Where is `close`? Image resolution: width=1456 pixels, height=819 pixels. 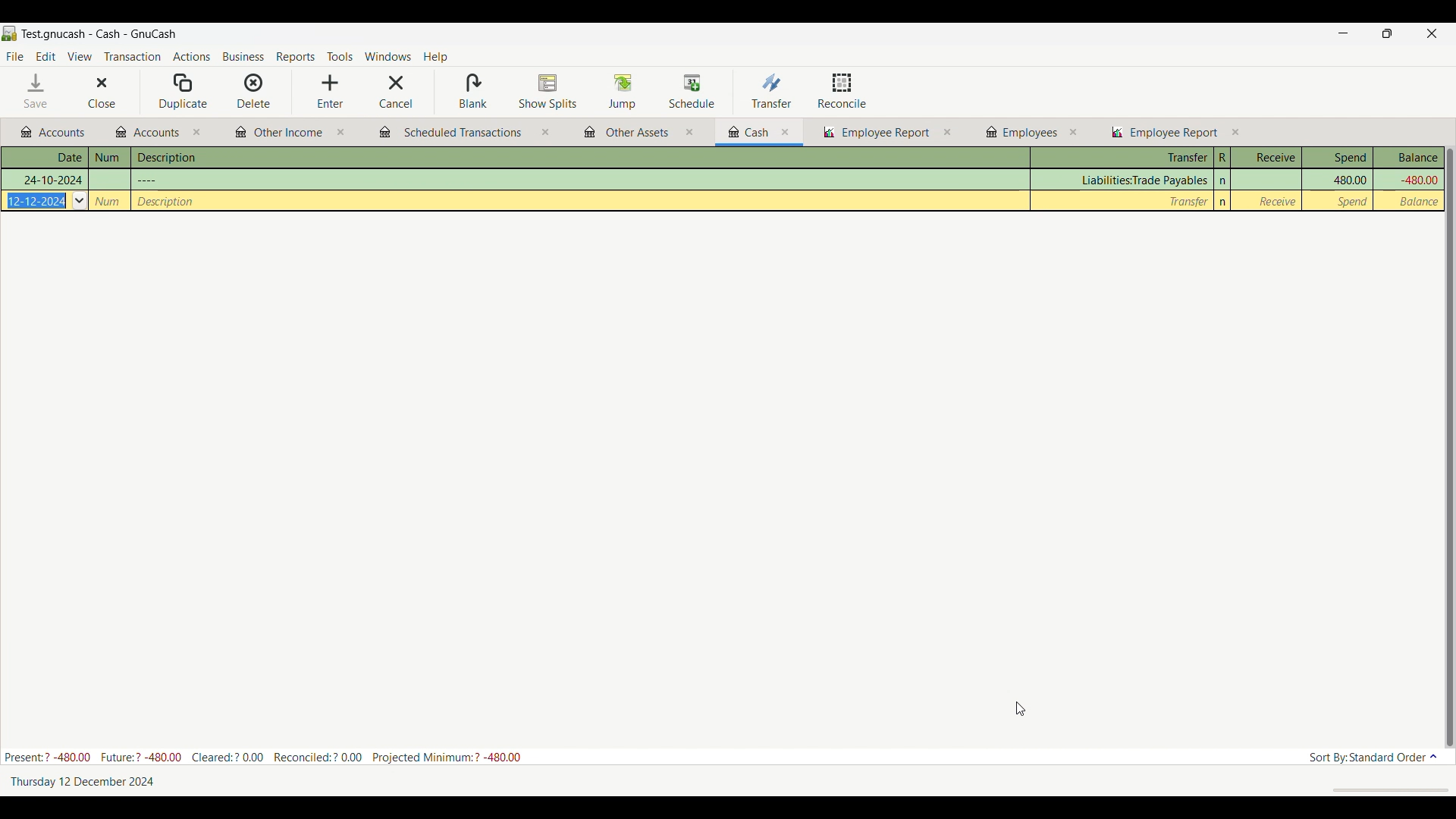
close is located at coordinates (689, 132).